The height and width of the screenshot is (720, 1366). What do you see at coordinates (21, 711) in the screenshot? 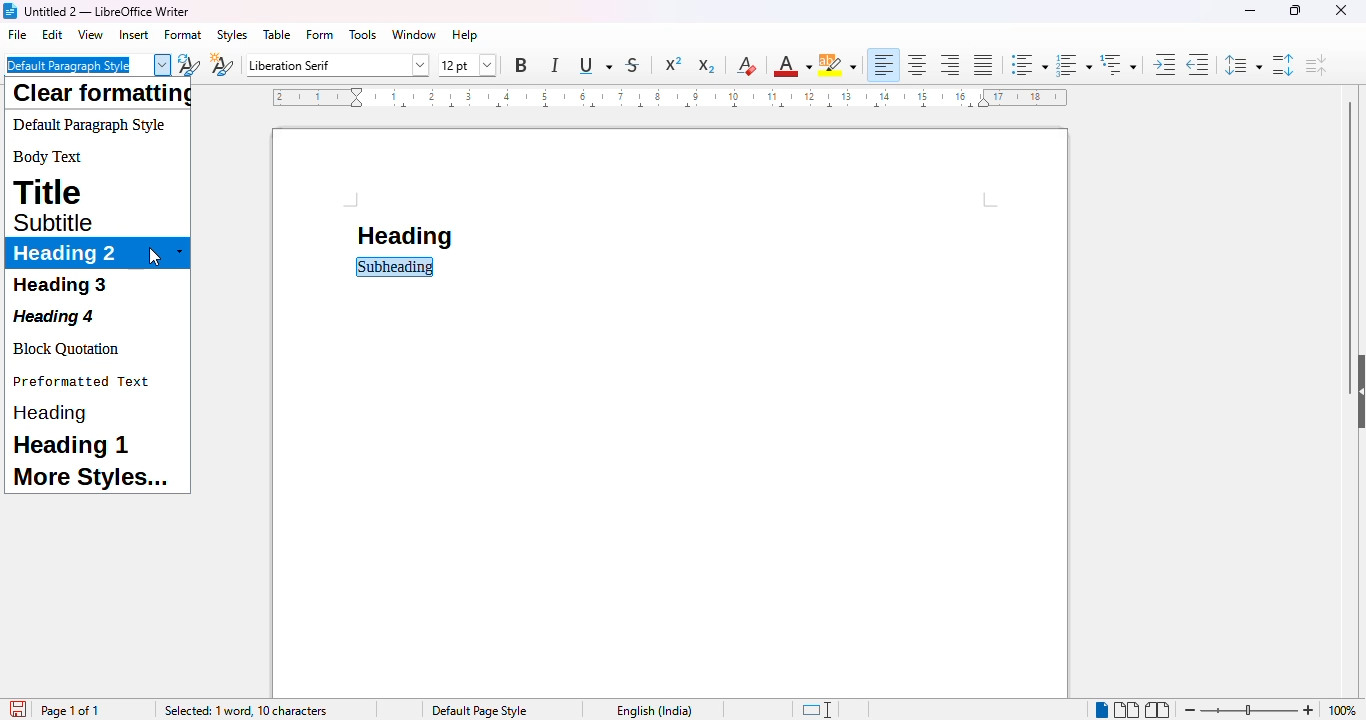
I see `click to save document` at bounding box center [21, 711].